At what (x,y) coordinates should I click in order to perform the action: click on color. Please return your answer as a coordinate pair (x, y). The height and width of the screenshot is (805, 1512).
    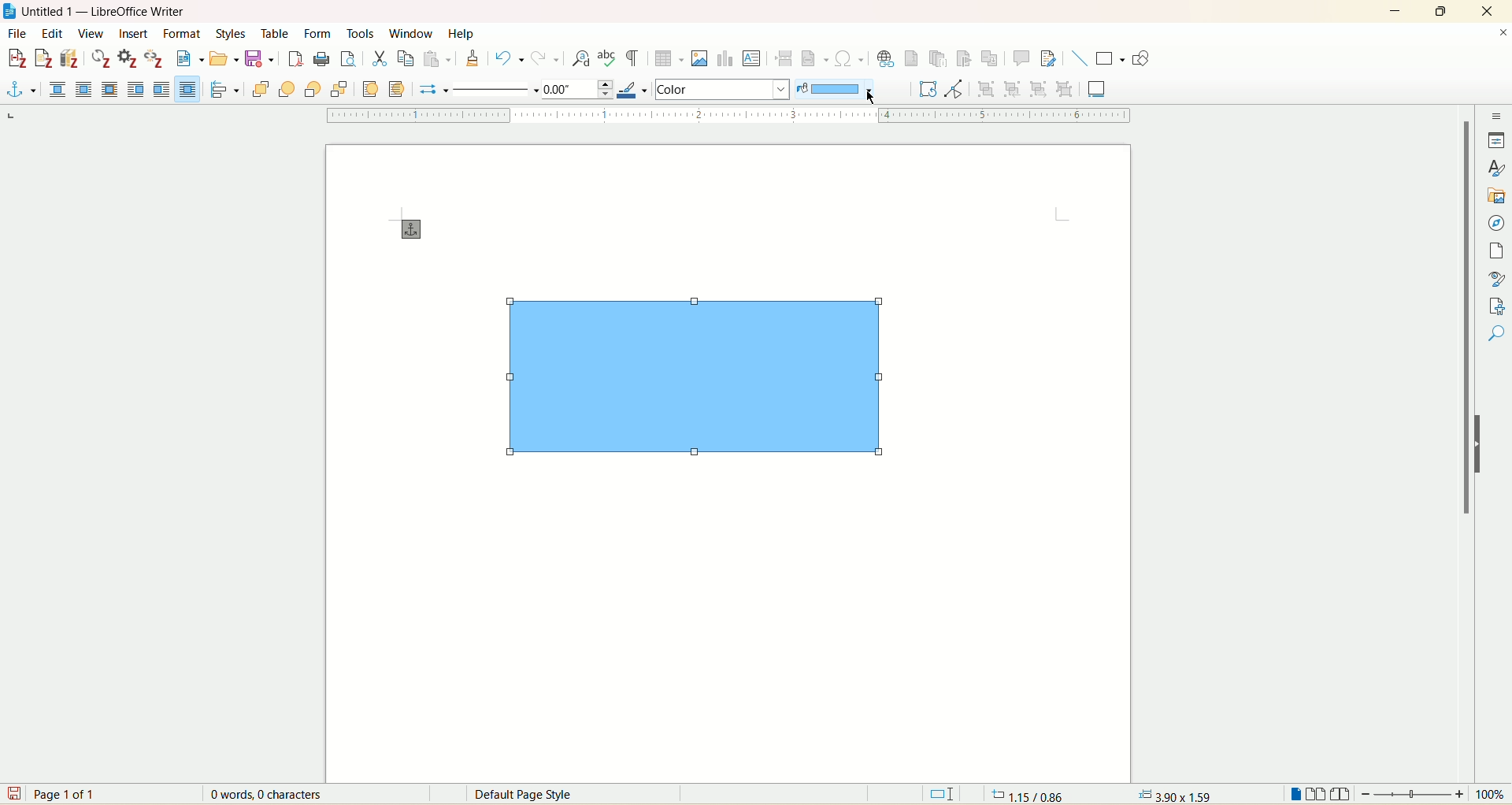
    Looking at the image, I should click on (833, 90).